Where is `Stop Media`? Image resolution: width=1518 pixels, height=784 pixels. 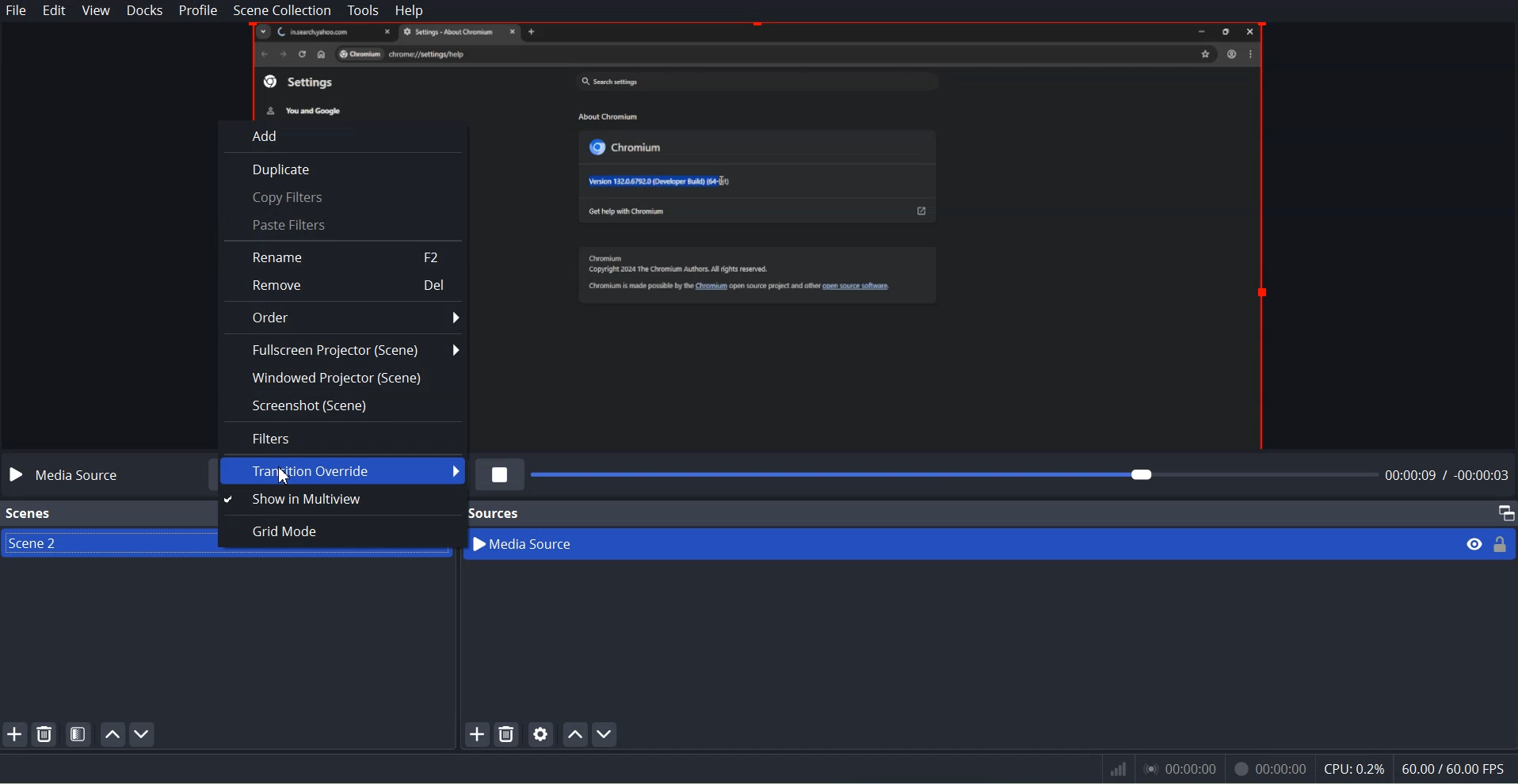
Stop Media is located at coordinates (501, 474).